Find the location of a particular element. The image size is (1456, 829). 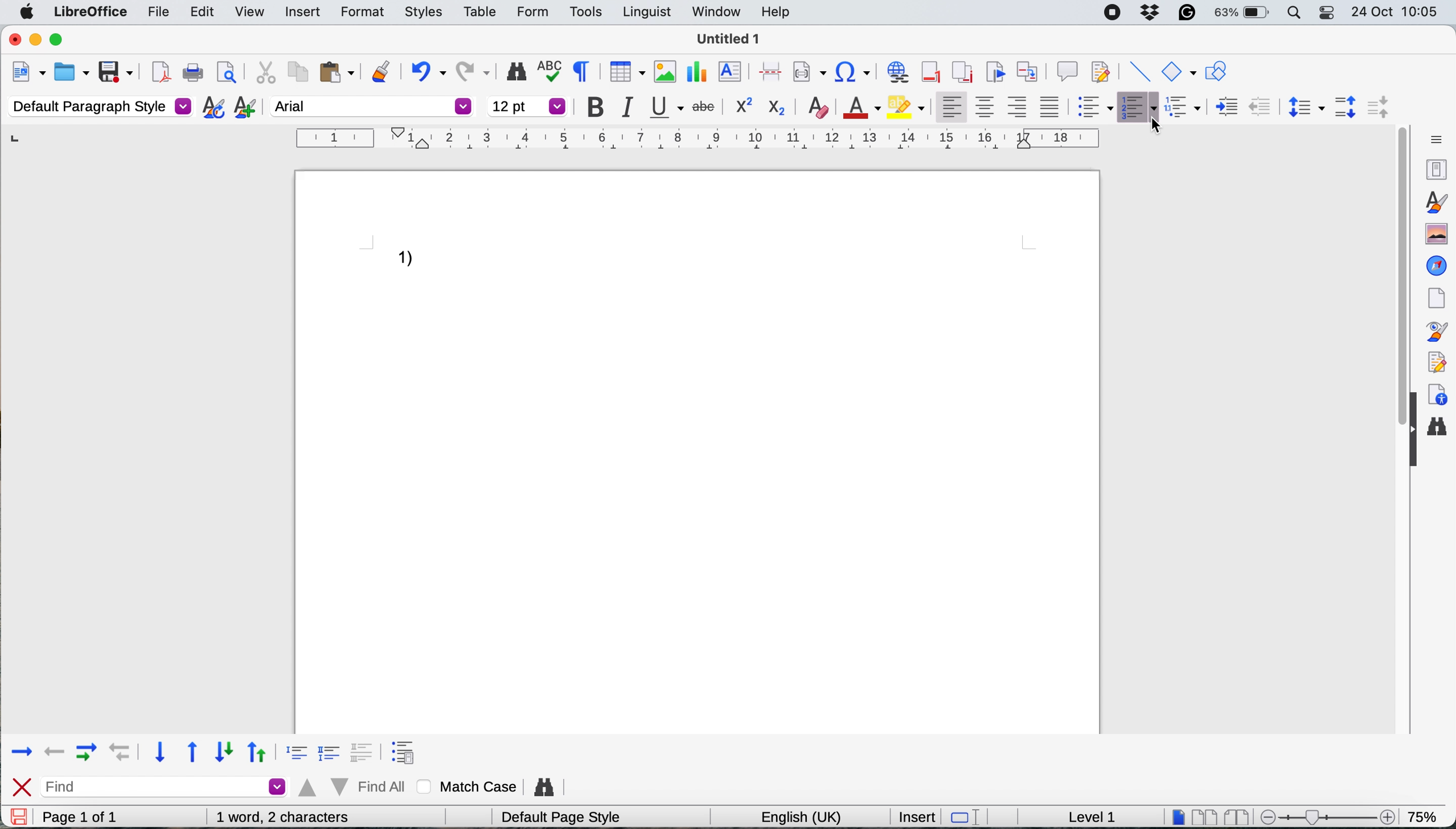

increase indent is located at coordinates (1261, 105).